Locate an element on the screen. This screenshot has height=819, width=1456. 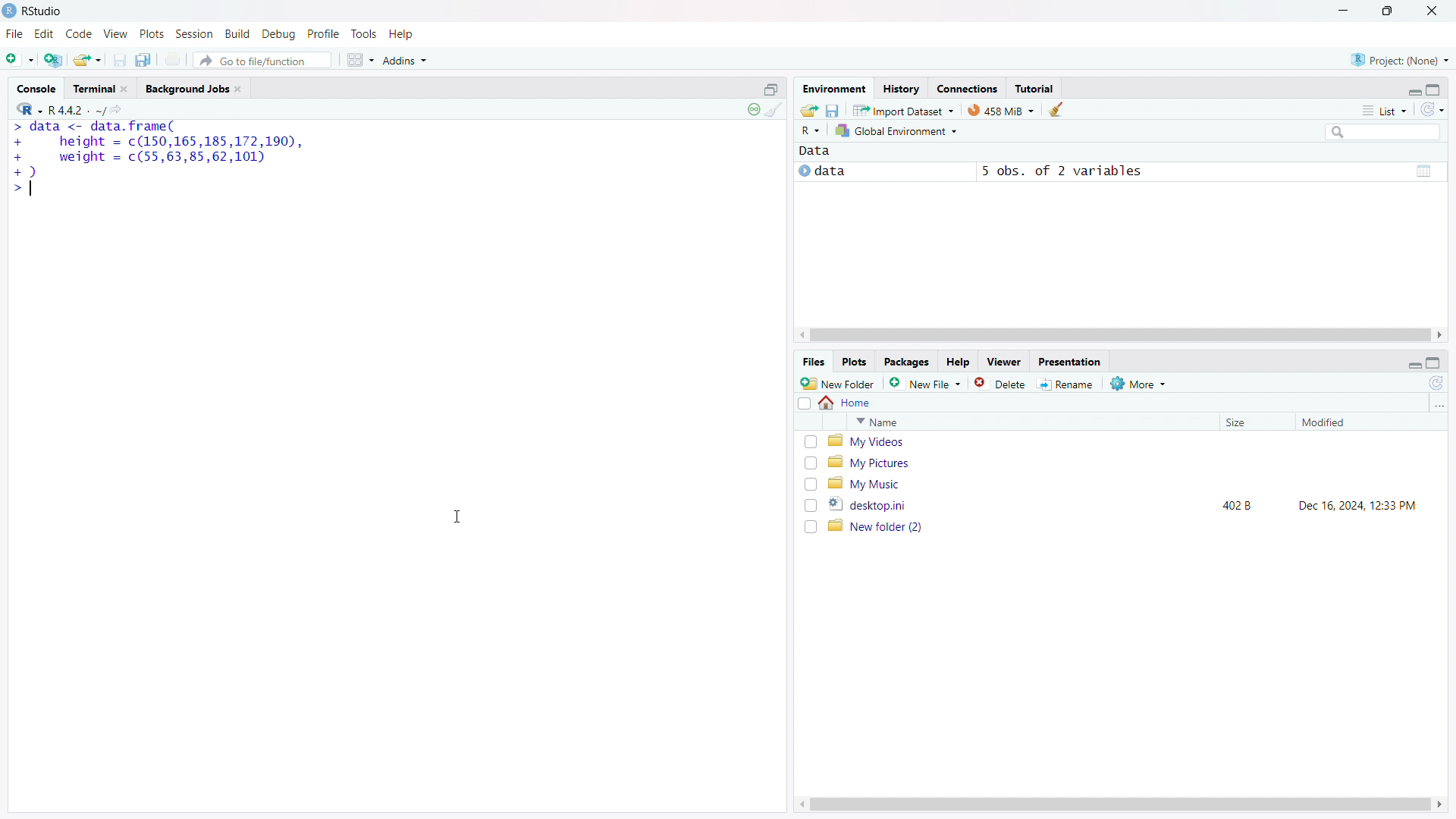
data is located at coordinates (814, 152).